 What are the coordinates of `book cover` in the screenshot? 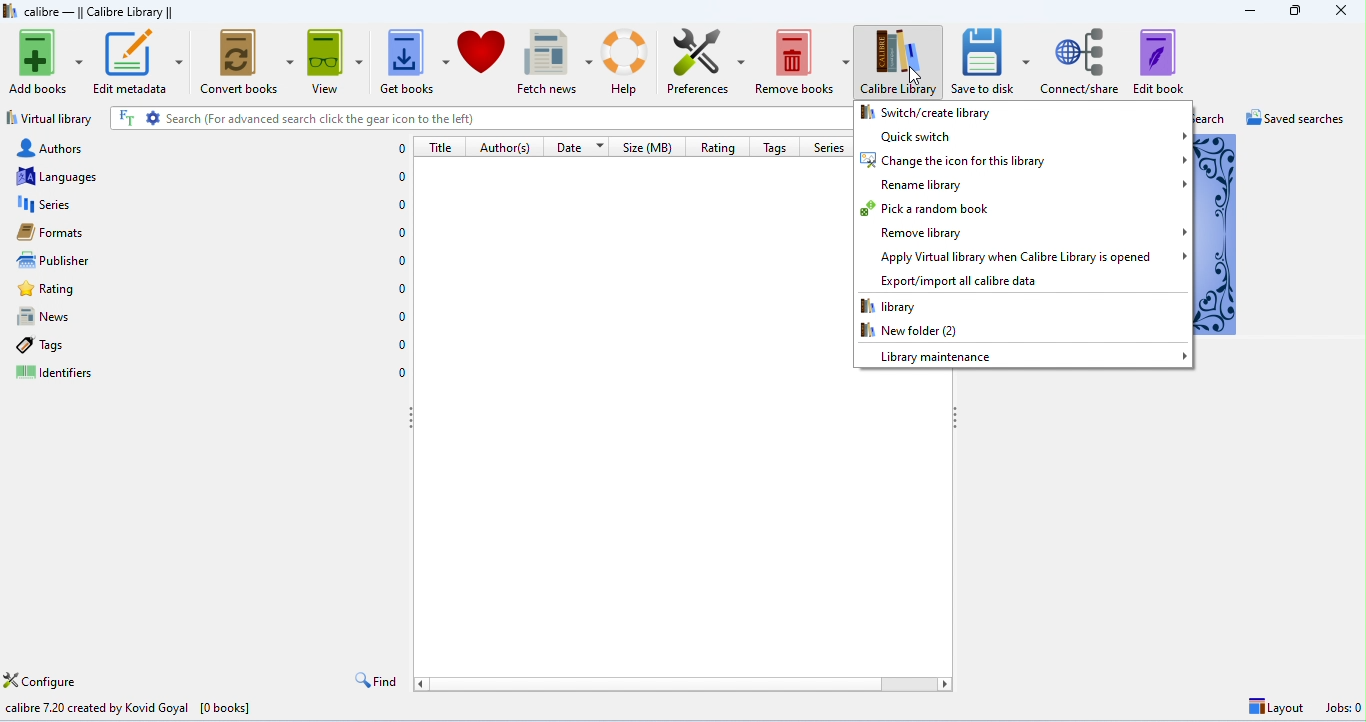 It's located at (1218, 234).